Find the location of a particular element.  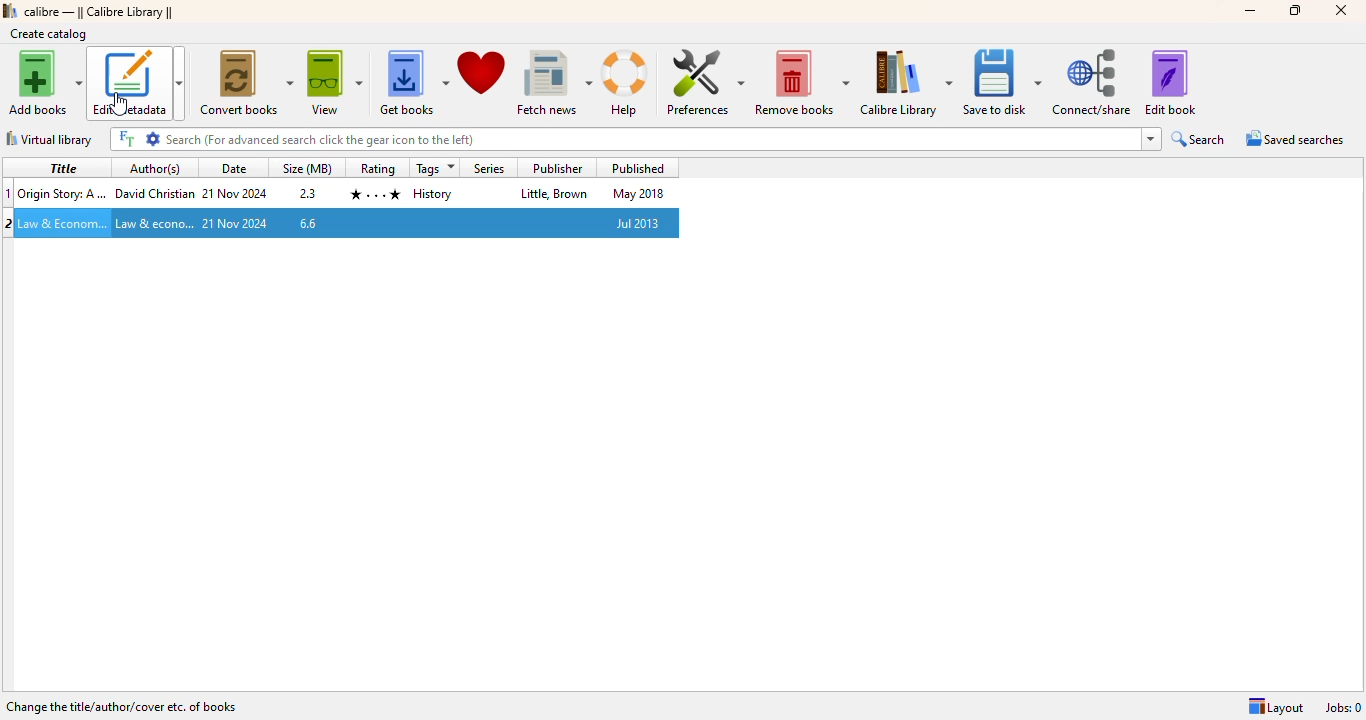

edit book is located at coordinates (1170, 82).